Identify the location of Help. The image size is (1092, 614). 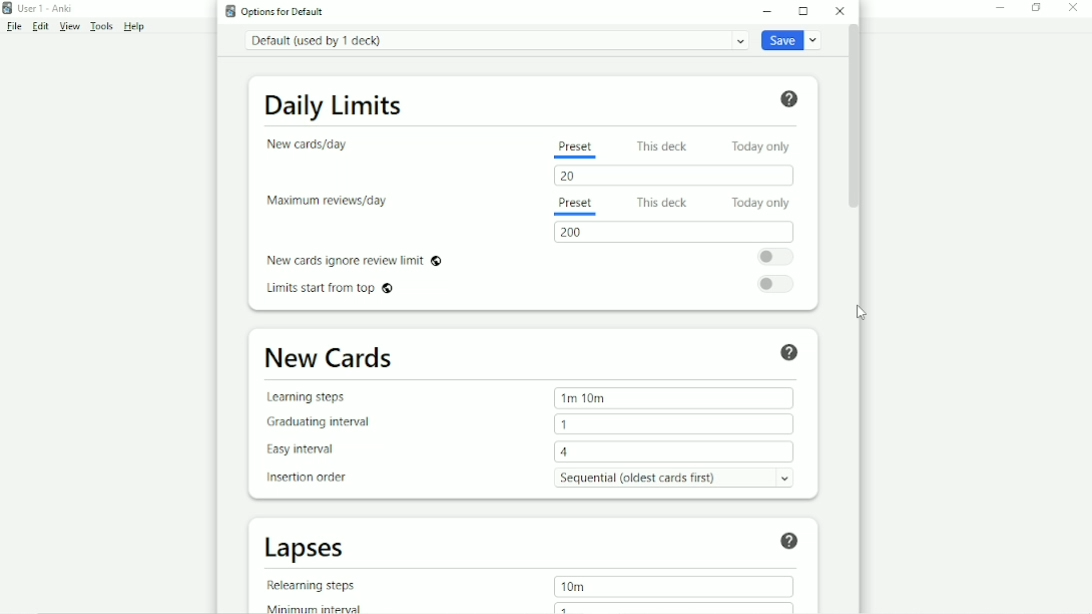
(792, 542).